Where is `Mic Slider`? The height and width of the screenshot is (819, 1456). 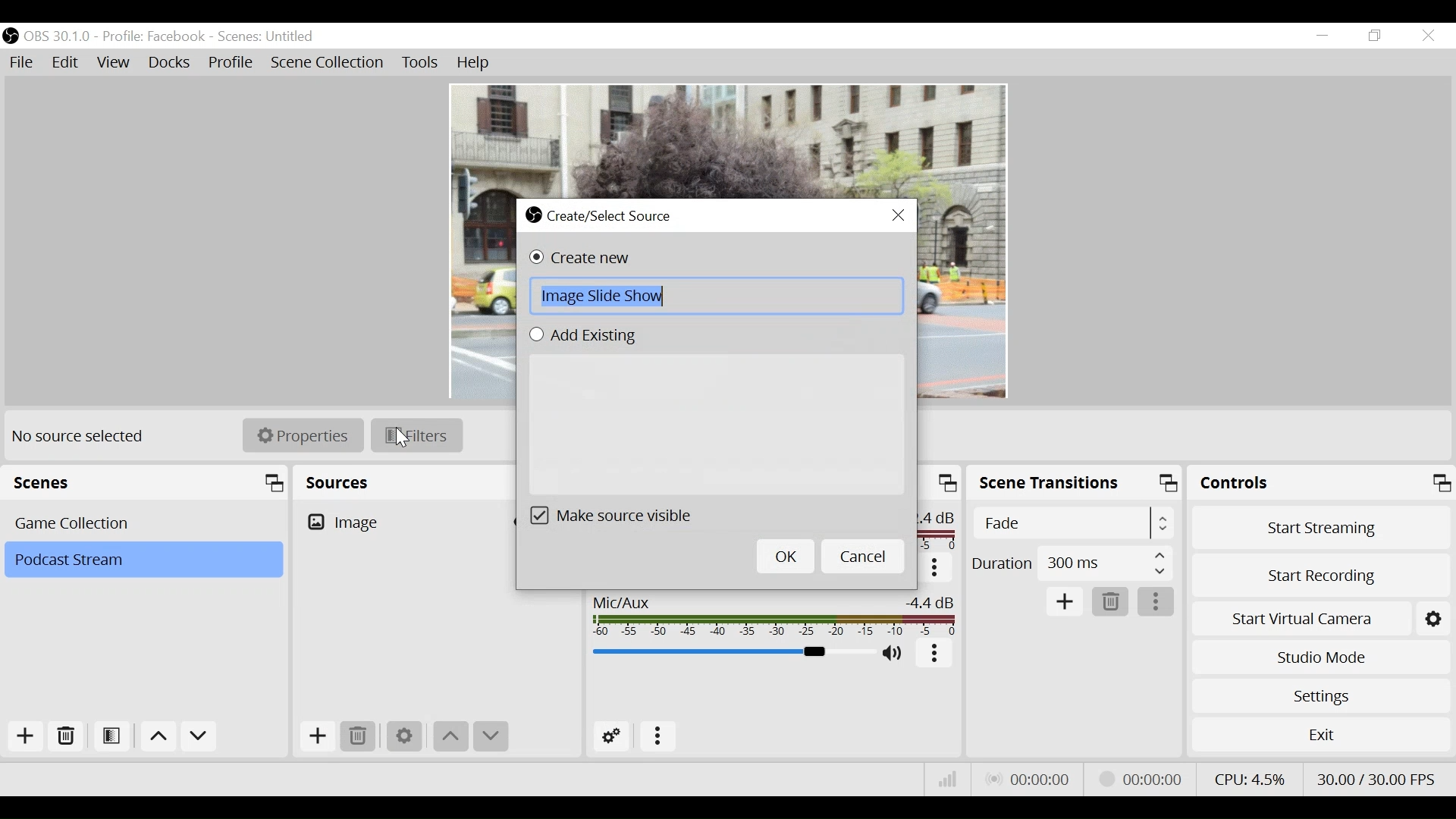 Mic Slider is located at coordinates (730, 654).